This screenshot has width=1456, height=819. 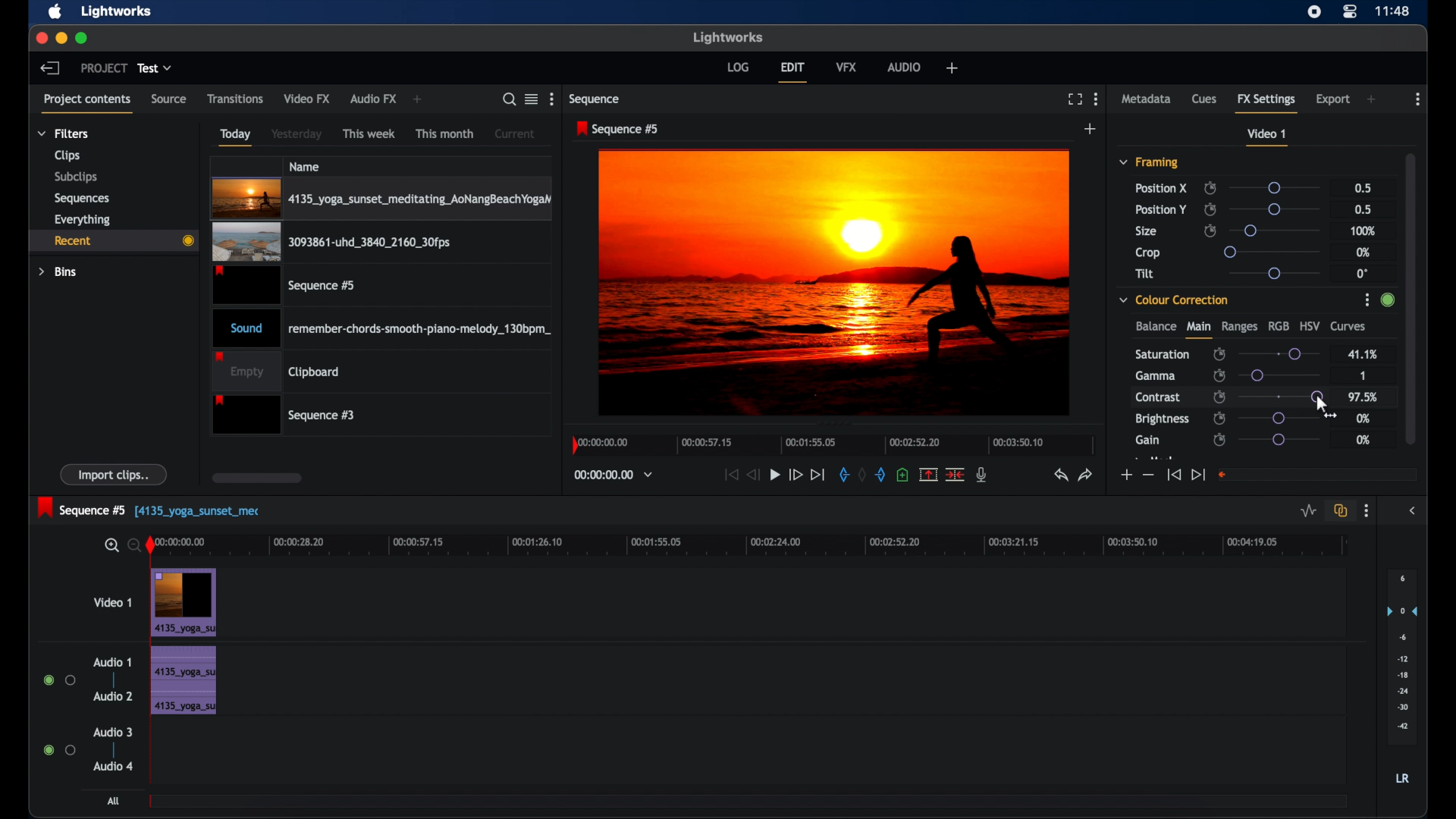 What do you see at coordinates (286, 285) in the screenshot?
I see `video clip` at bounding box center [286, 285].